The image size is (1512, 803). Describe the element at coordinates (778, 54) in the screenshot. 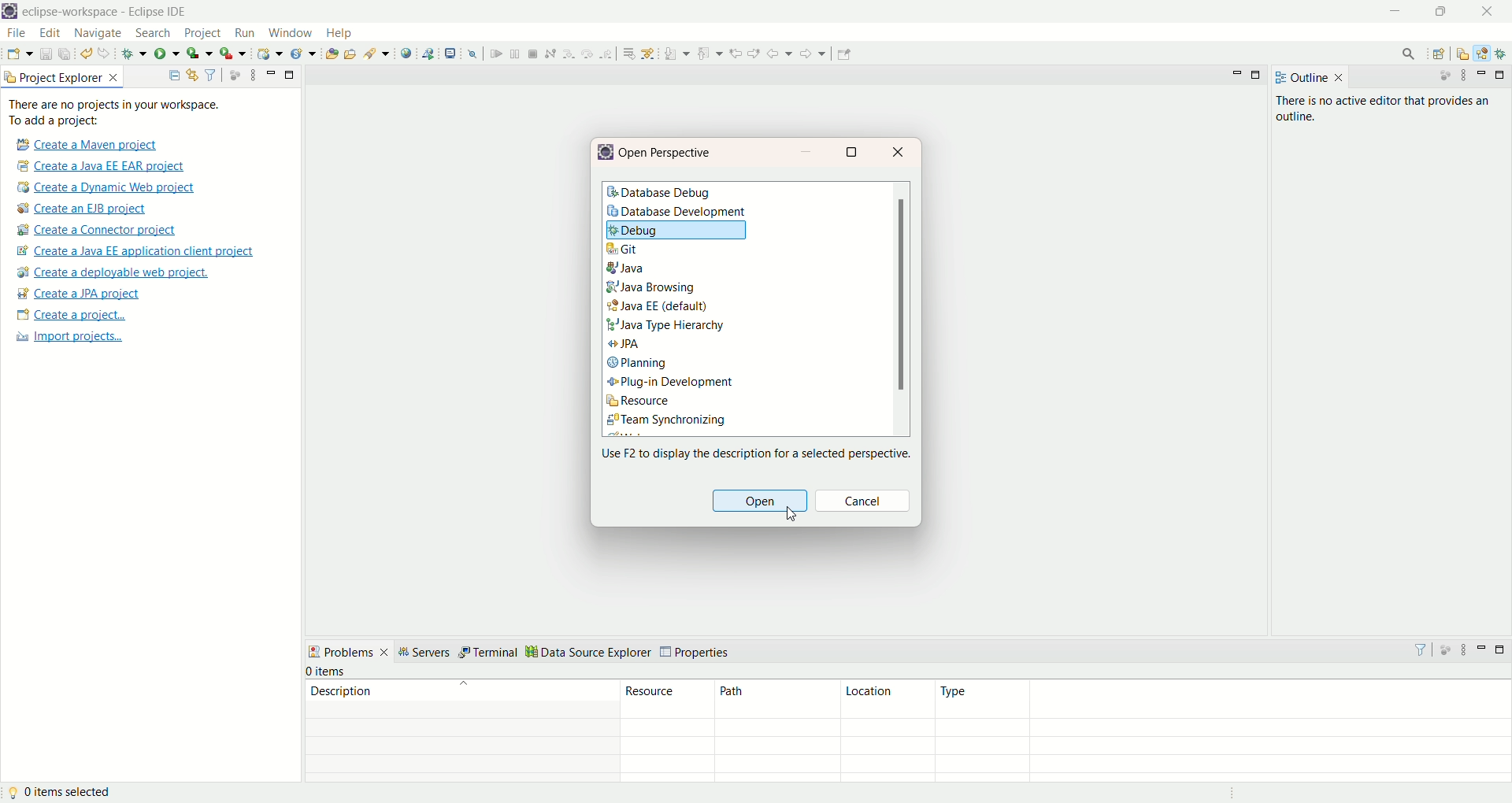

I see `back` at that location.